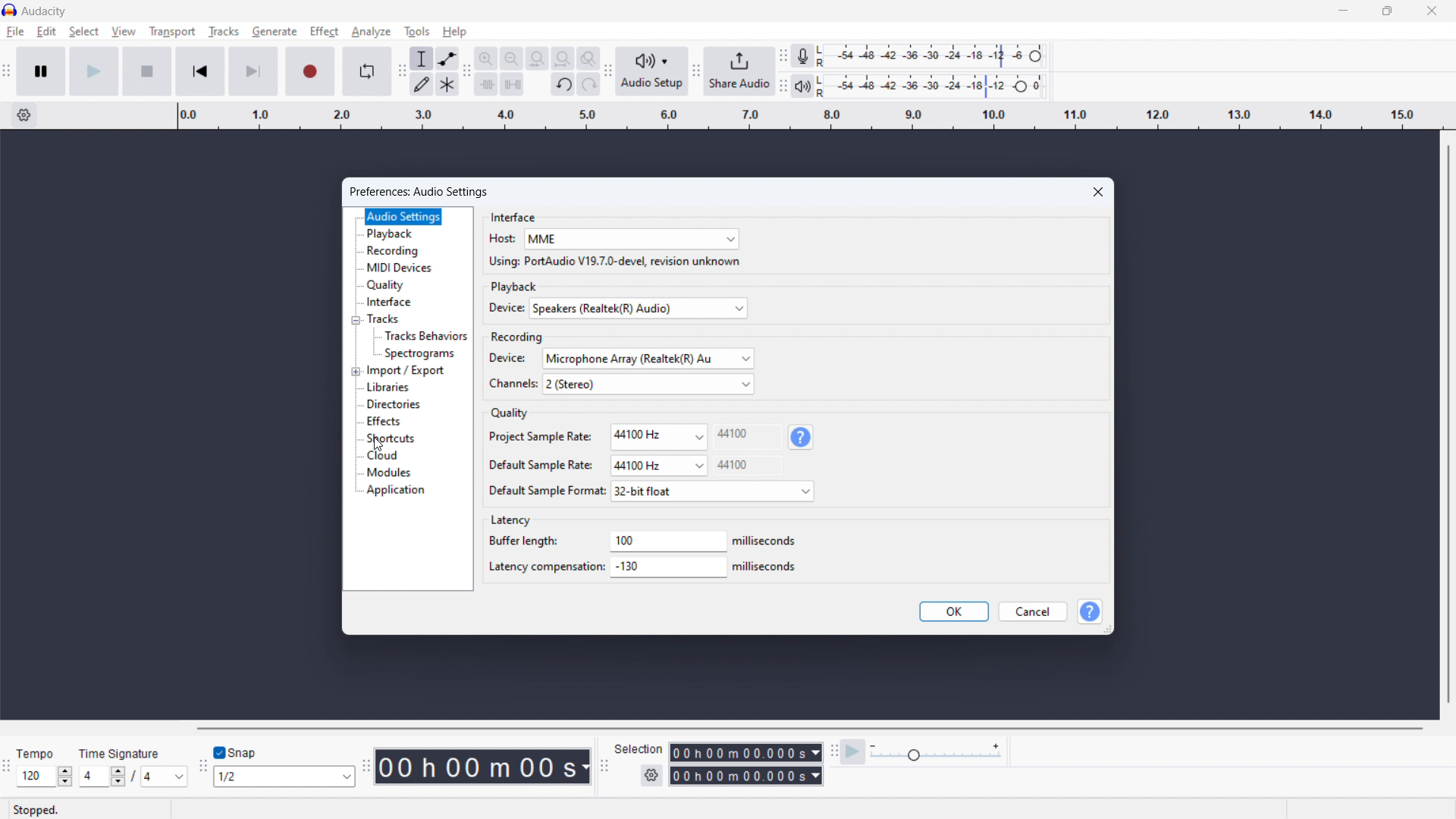 The height and width of the screenshot is (819, 1456). I want to click on playback speed, so click(936, 753).